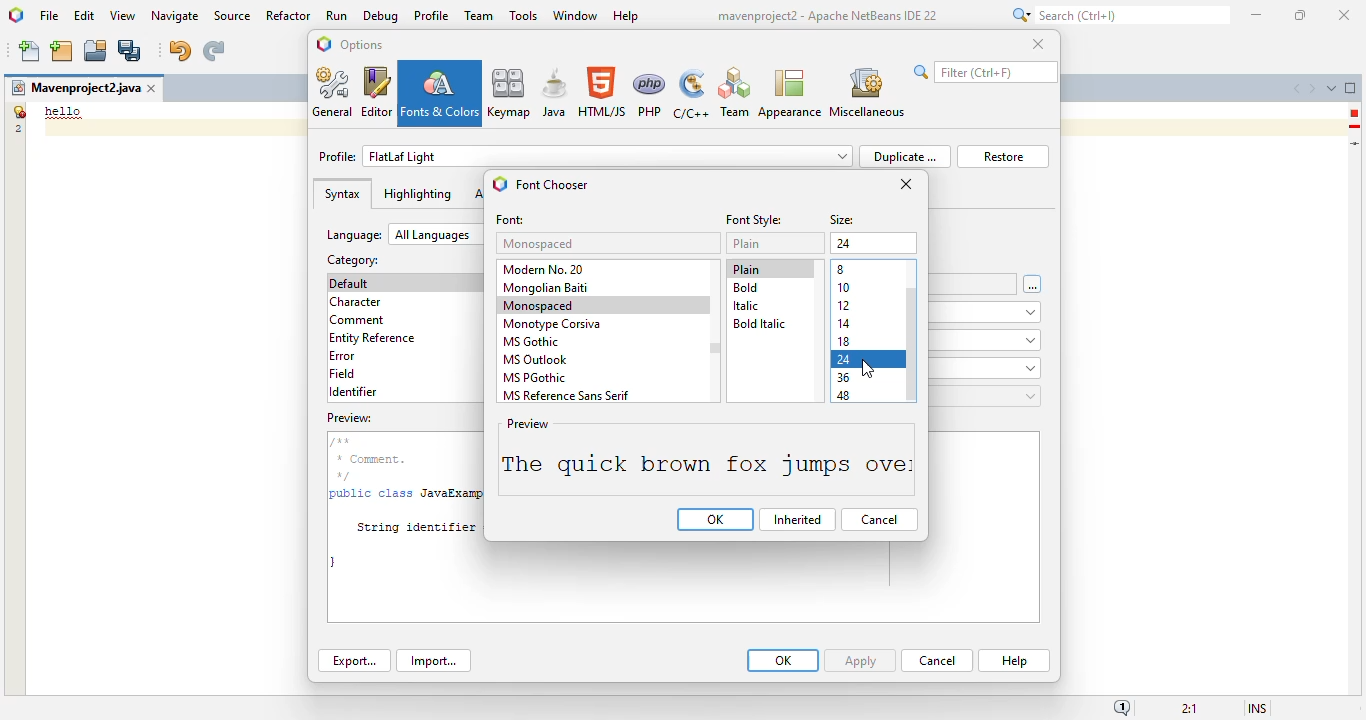  I want to click on window, so click(576, 15).